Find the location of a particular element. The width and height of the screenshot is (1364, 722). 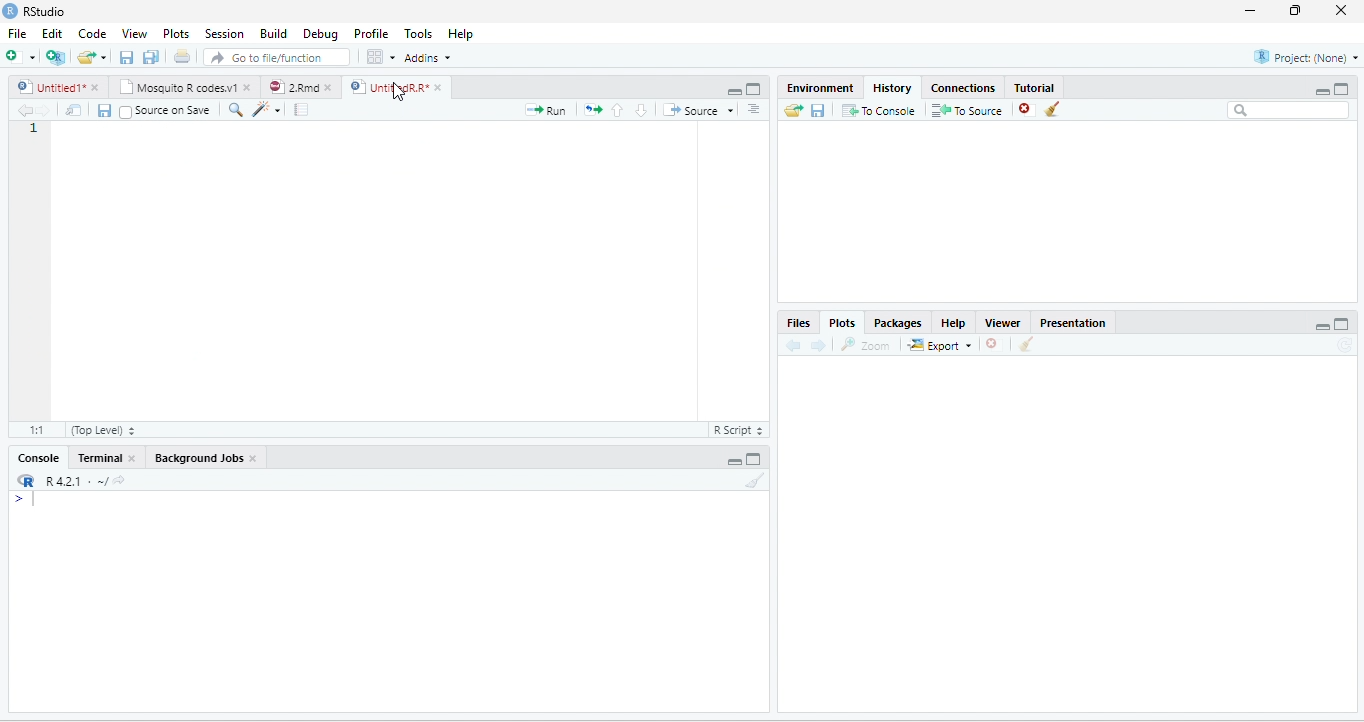

Environment is located at coordinates (820, 88).